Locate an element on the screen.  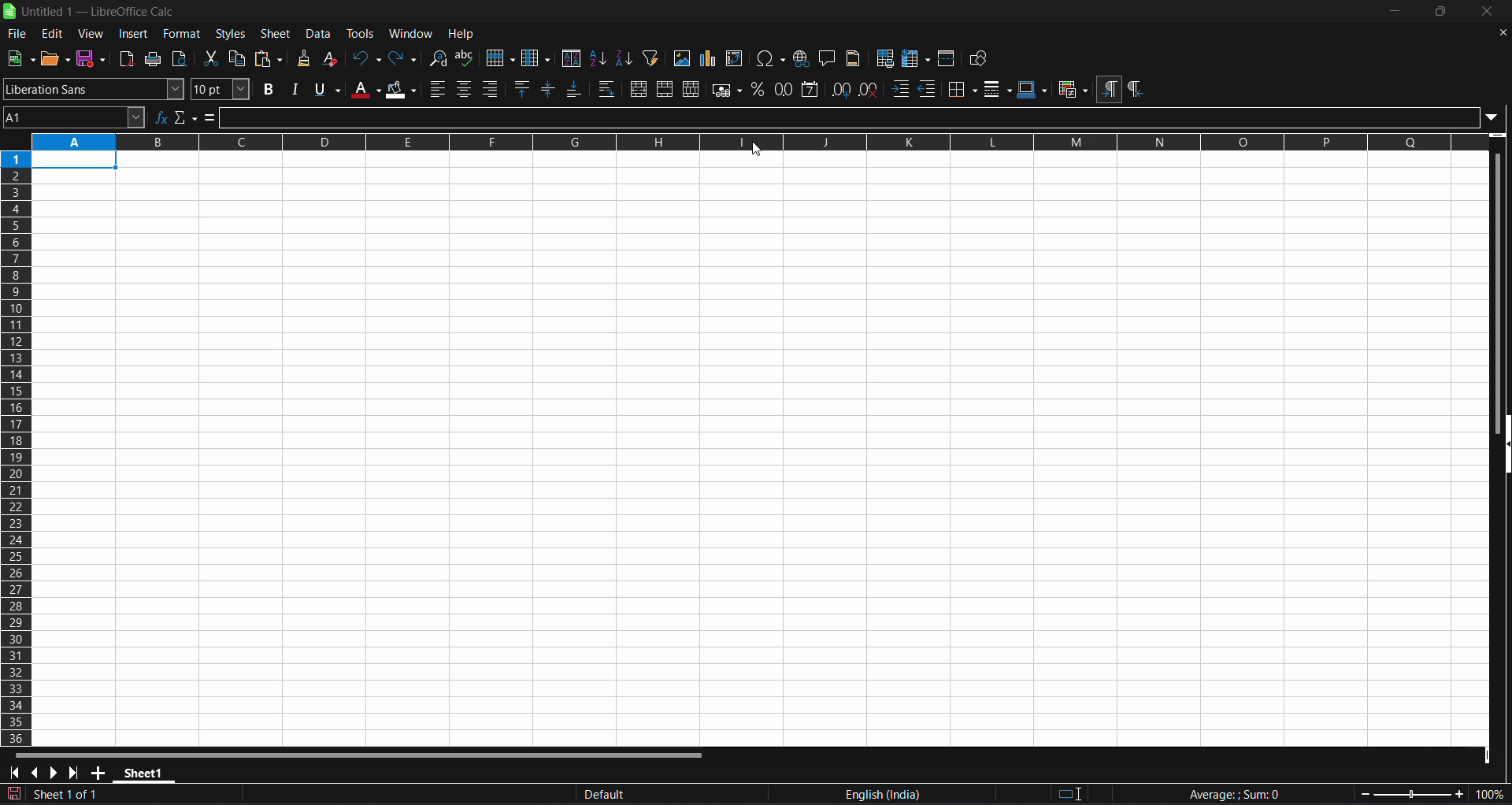
sheet 1 of 1 is located at coordinates (72, 795).